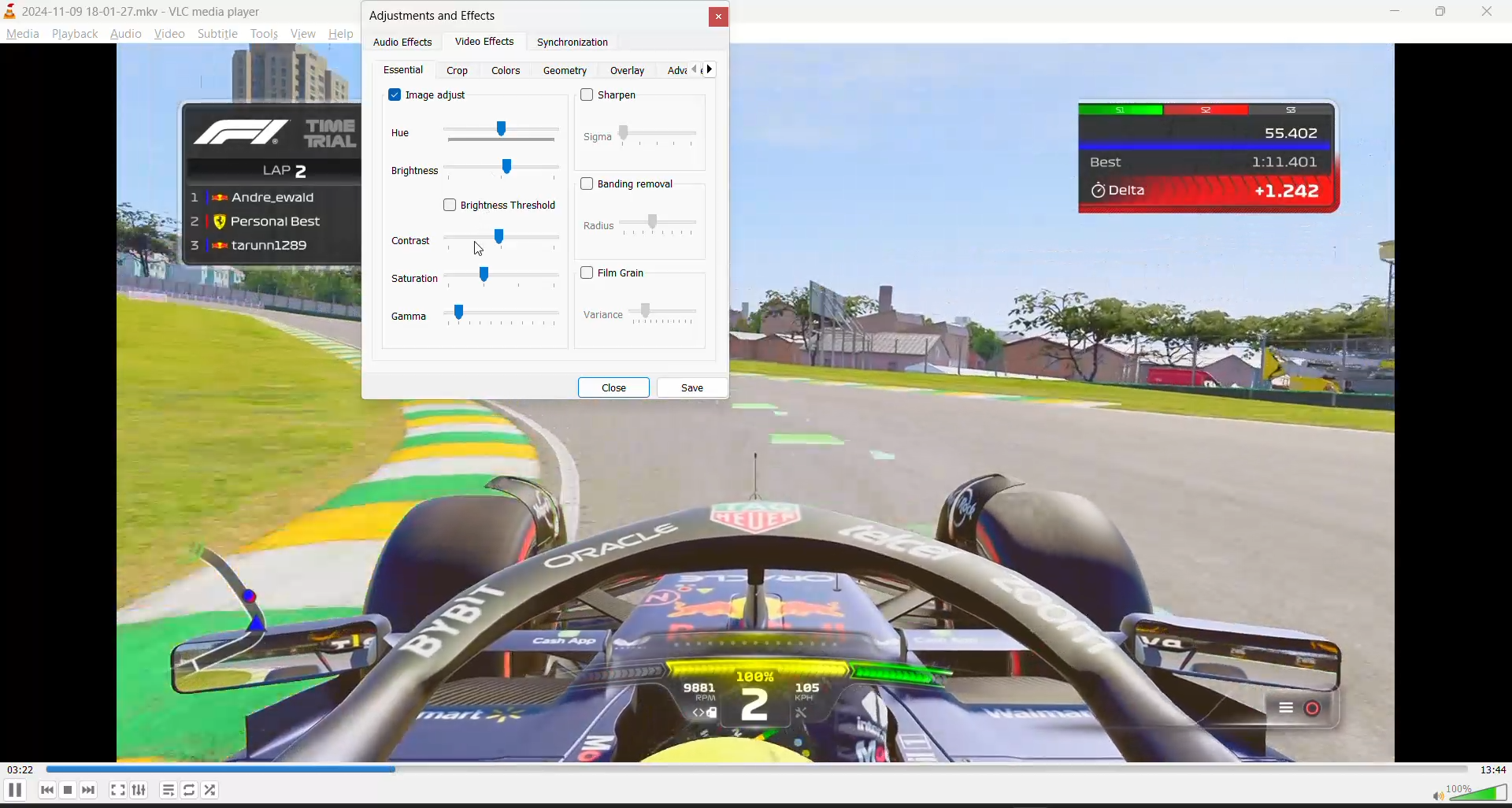 The image size is (1512, 808). What do you see at coordinates (503, 242) in the screenshot?
I see `contrast slider` at bounding box center [503, 242].